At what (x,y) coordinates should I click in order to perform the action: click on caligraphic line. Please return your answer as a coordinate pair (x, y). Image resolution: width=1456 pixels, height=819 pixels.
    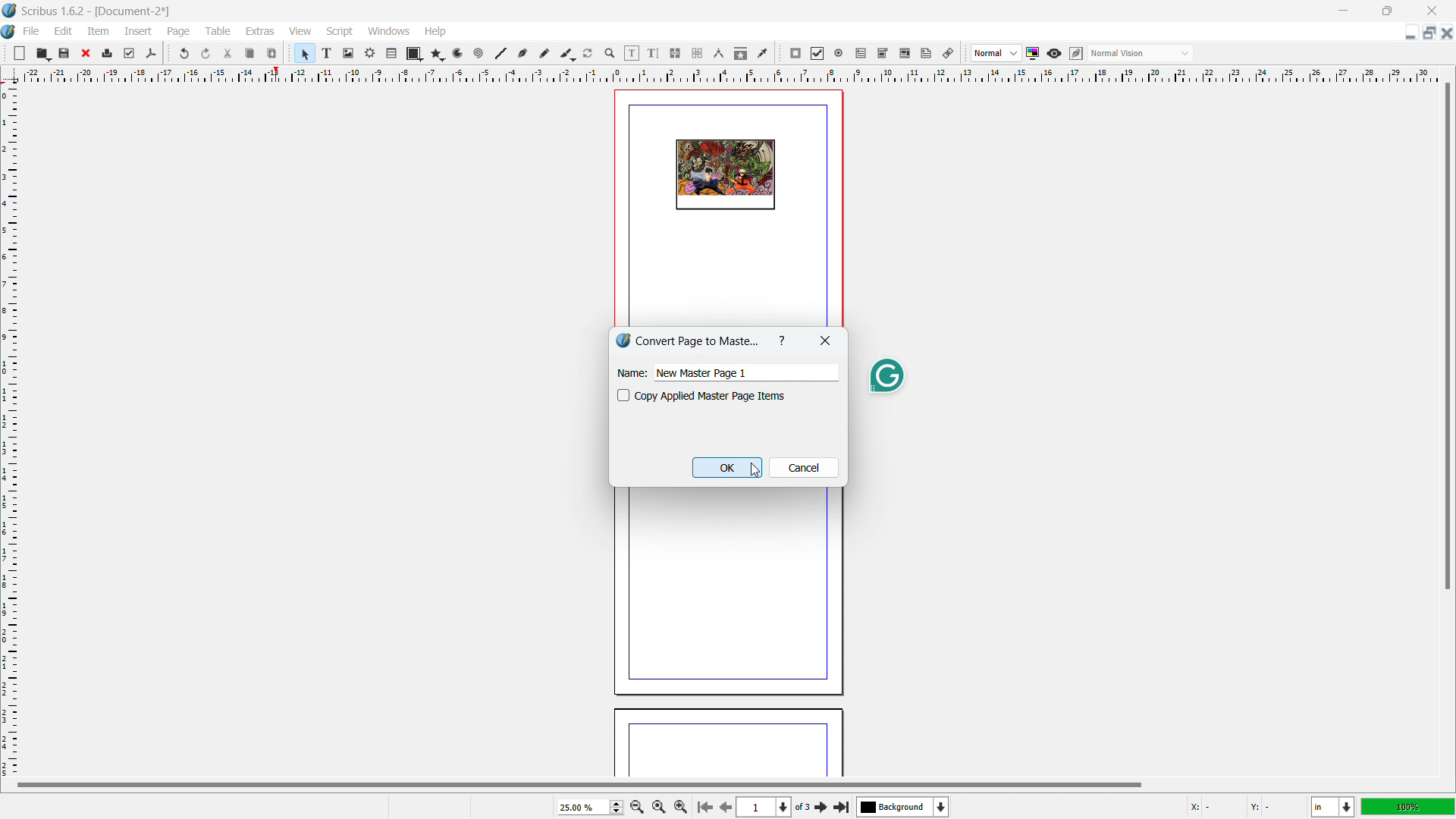
    Looking at the image, I should click on (567, 54).